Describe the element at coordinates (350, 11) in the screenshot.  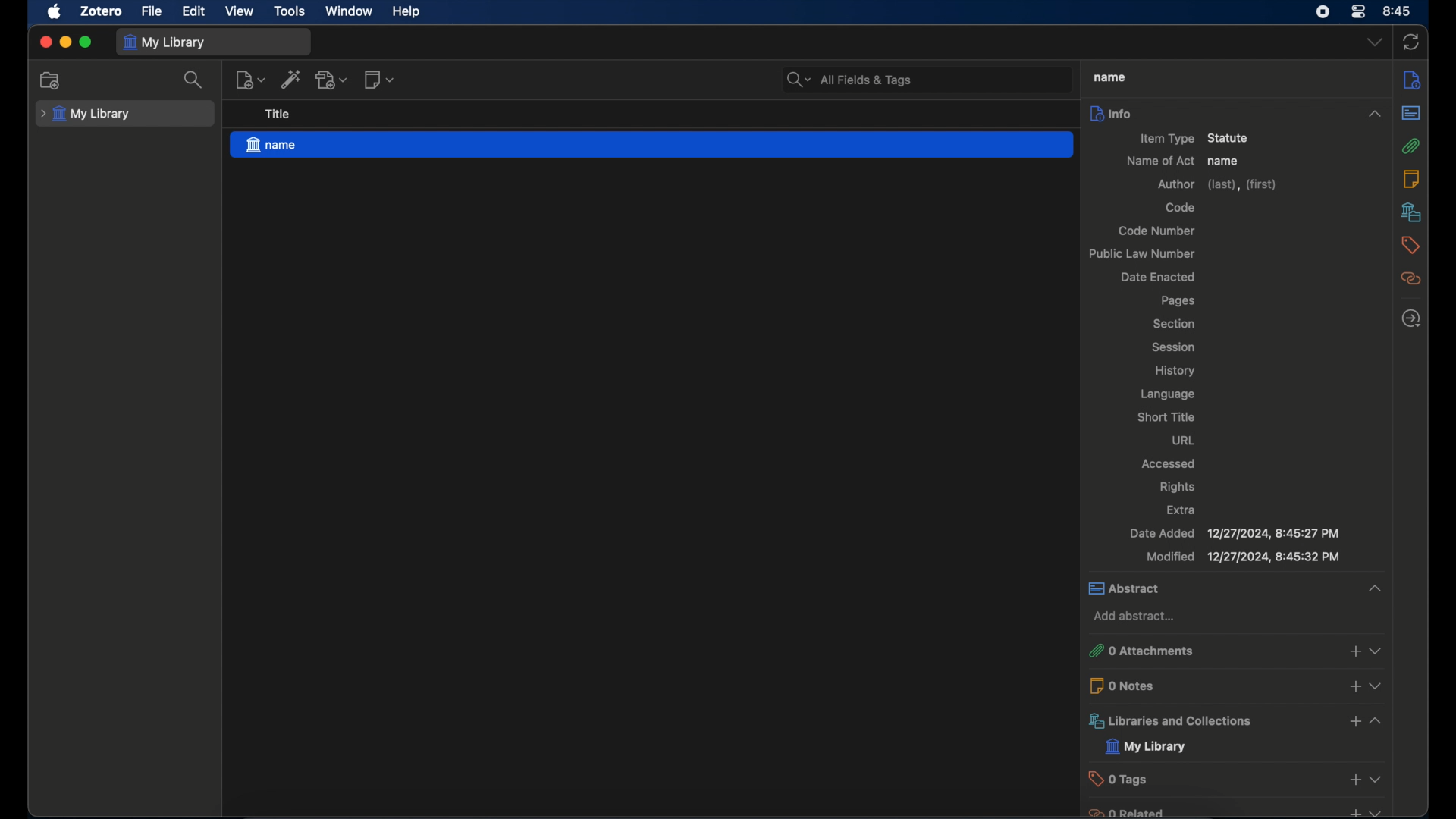
I see `window` at that location.